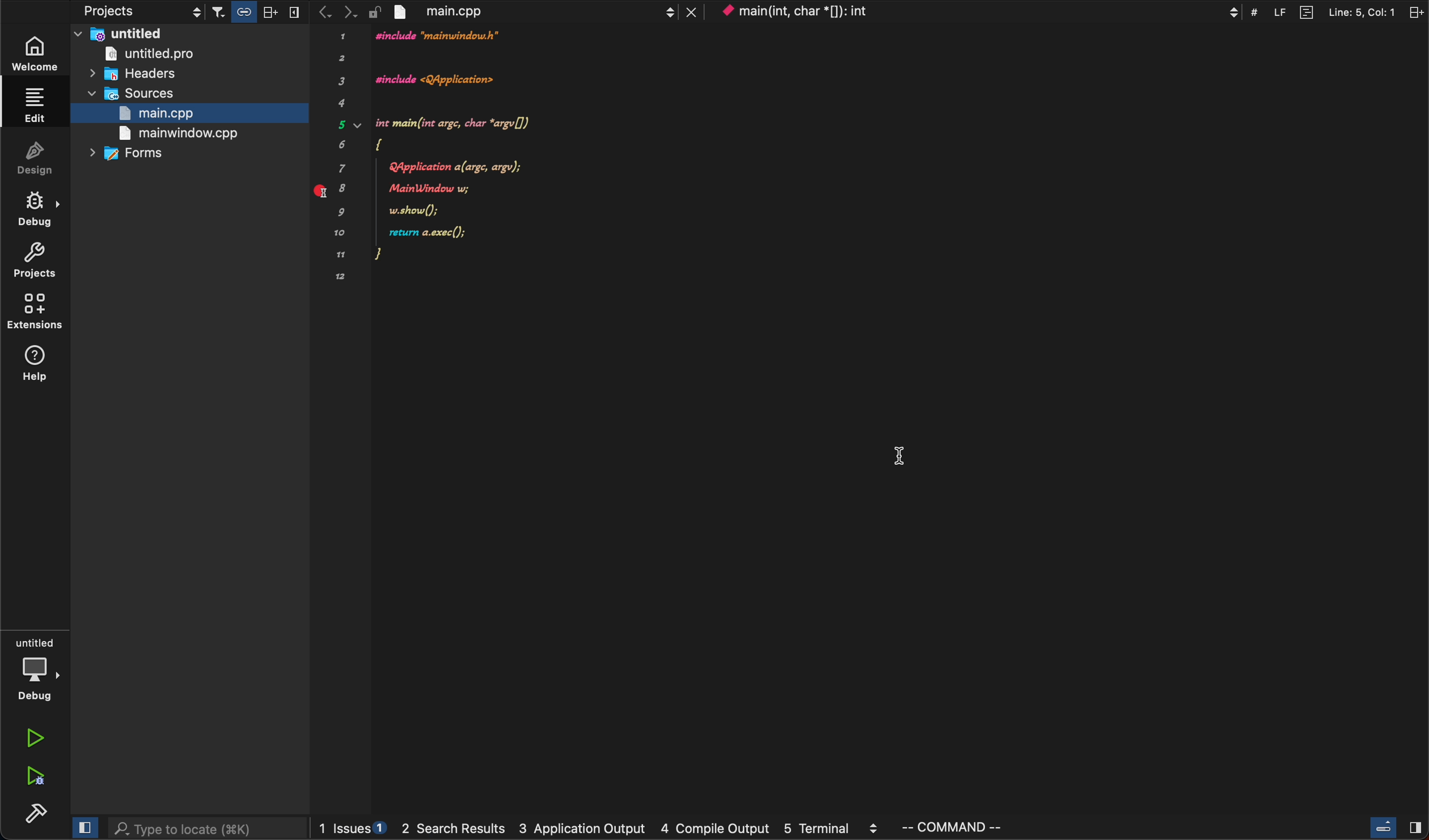 The height and width of the screenshot is (840, 1429). I want to click on run debug, so click(33, 778).